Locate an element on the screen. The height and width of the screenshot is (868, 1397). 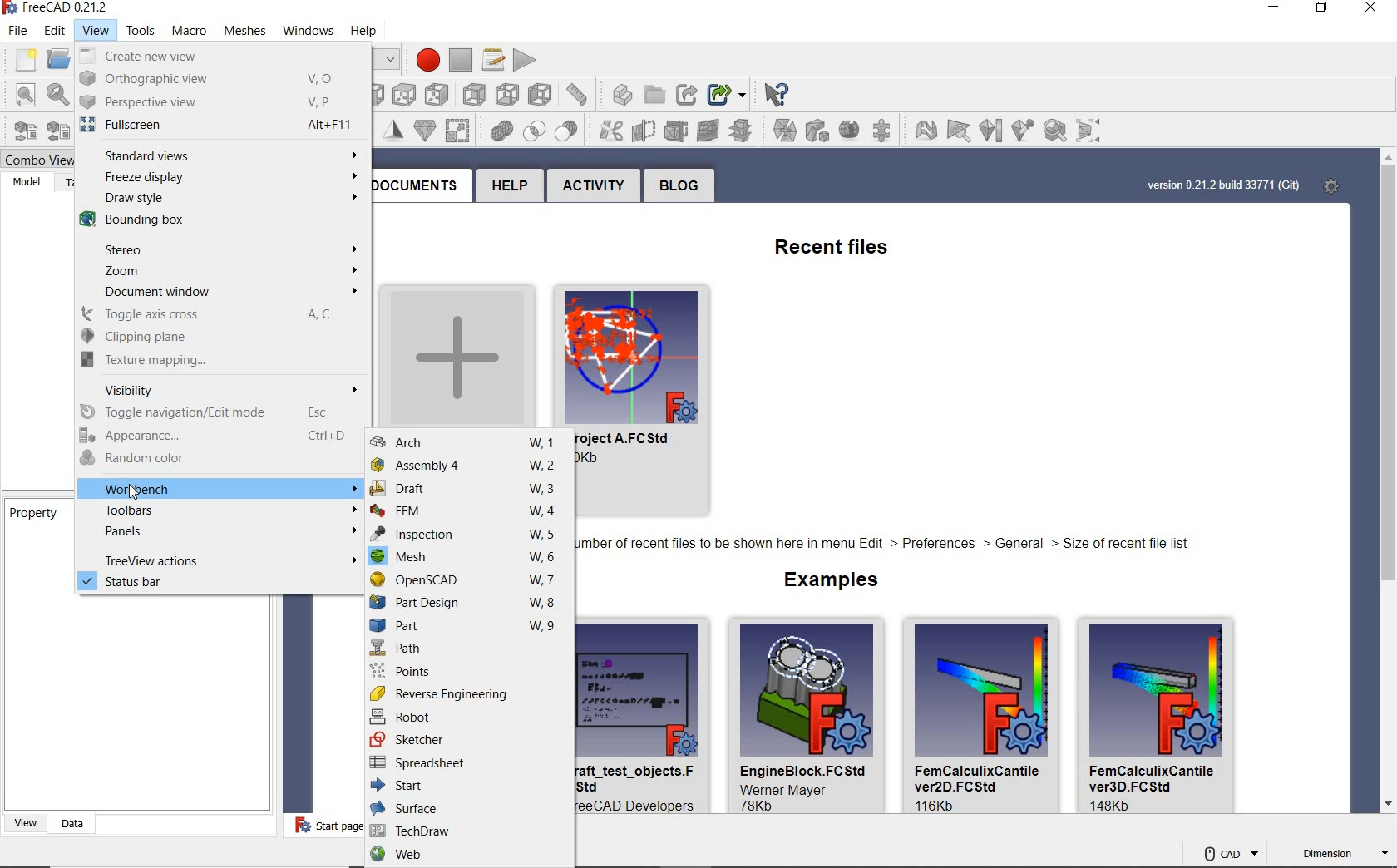
top is located at coordinates (371, 91).